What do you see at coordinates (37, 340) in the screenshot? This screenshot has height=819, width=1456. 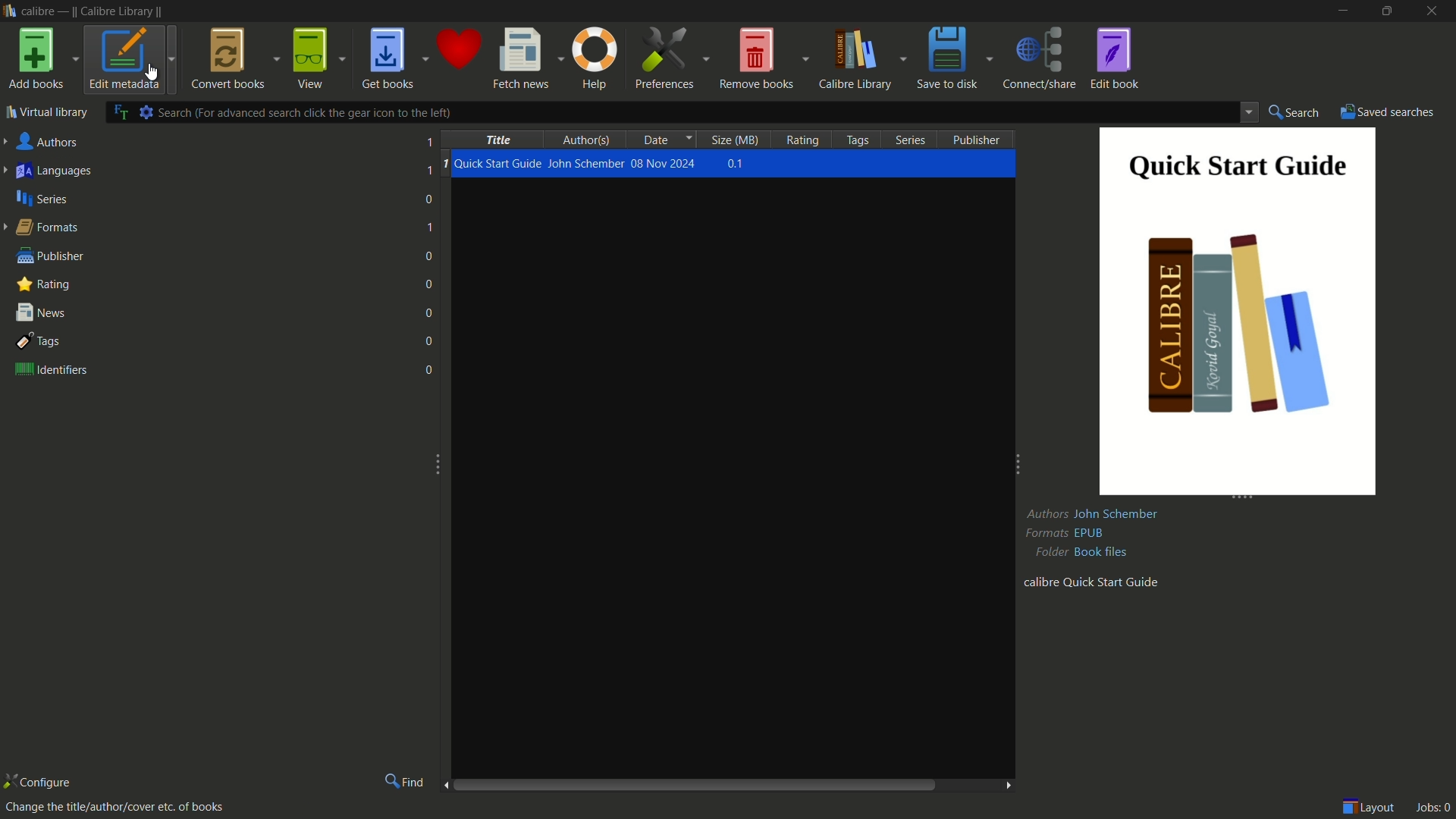 I see `tags` at bounding box center [37, 340].